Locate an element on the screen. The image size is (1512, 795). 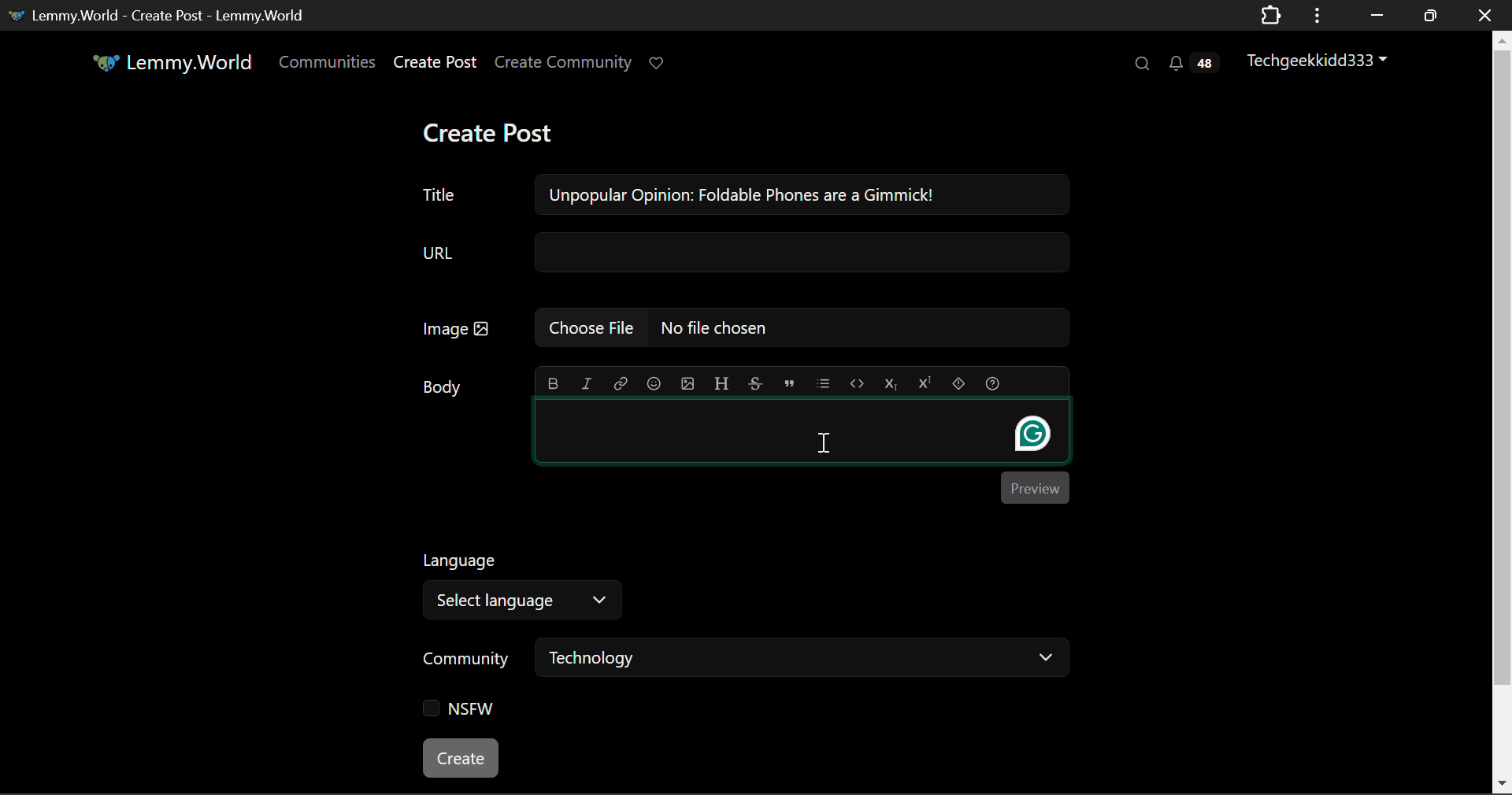
Post Body Textbox Selected is located at coordinates (799, 431).